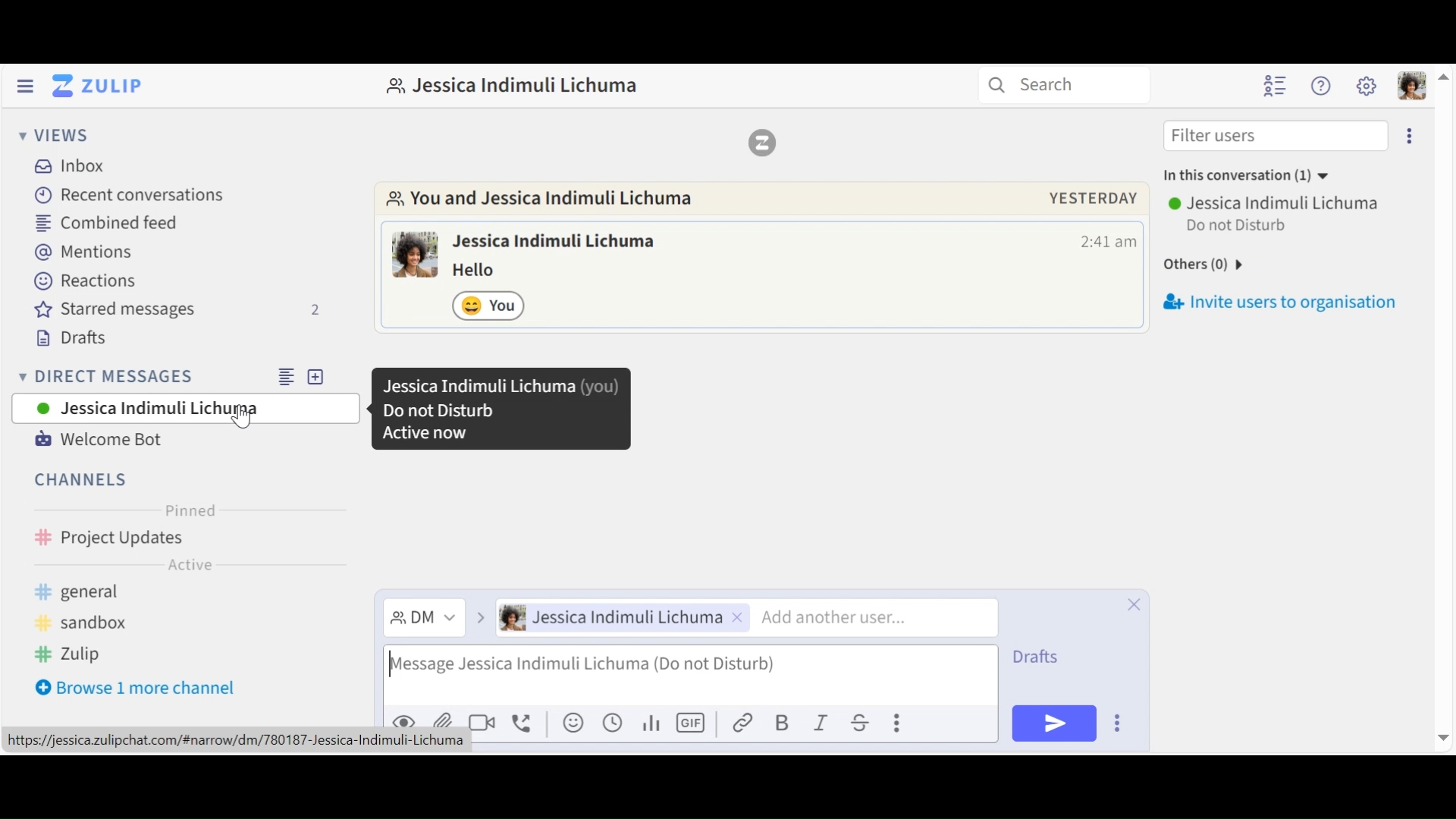  What do you see at coordinates (618, 619) in the screenshot?
I see `User` at bounding box center [618, 619].